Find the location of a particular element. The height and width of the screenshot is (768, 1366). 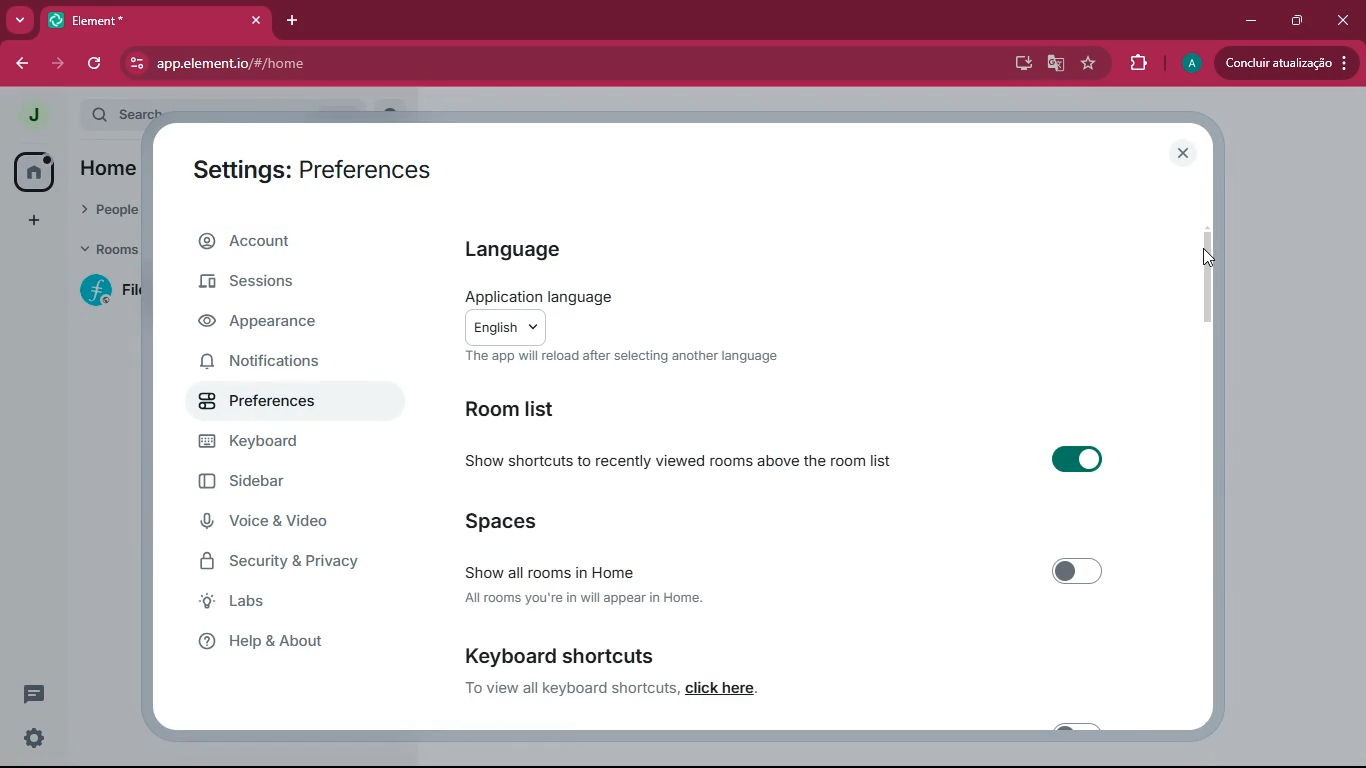

back is located at coordinates (19, 63).